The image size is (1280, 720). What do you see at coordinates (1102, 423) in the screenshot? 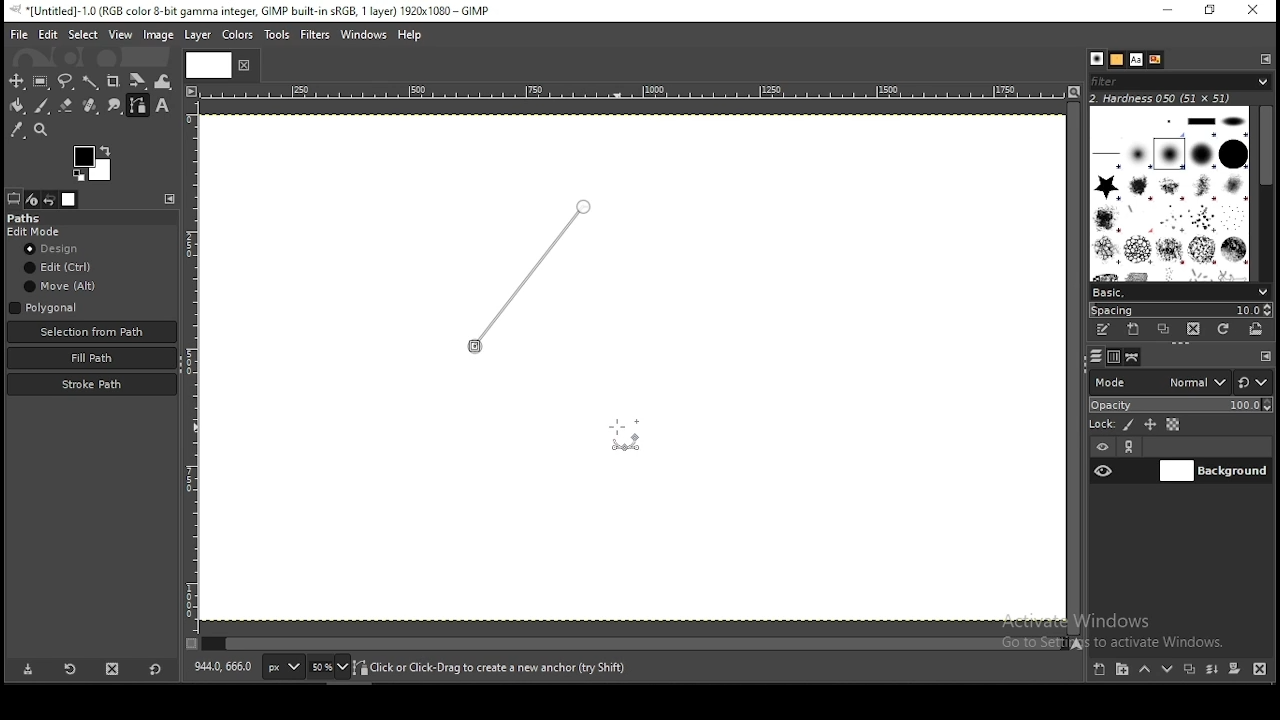
I see `lock` at bounding box center [1102, 423].